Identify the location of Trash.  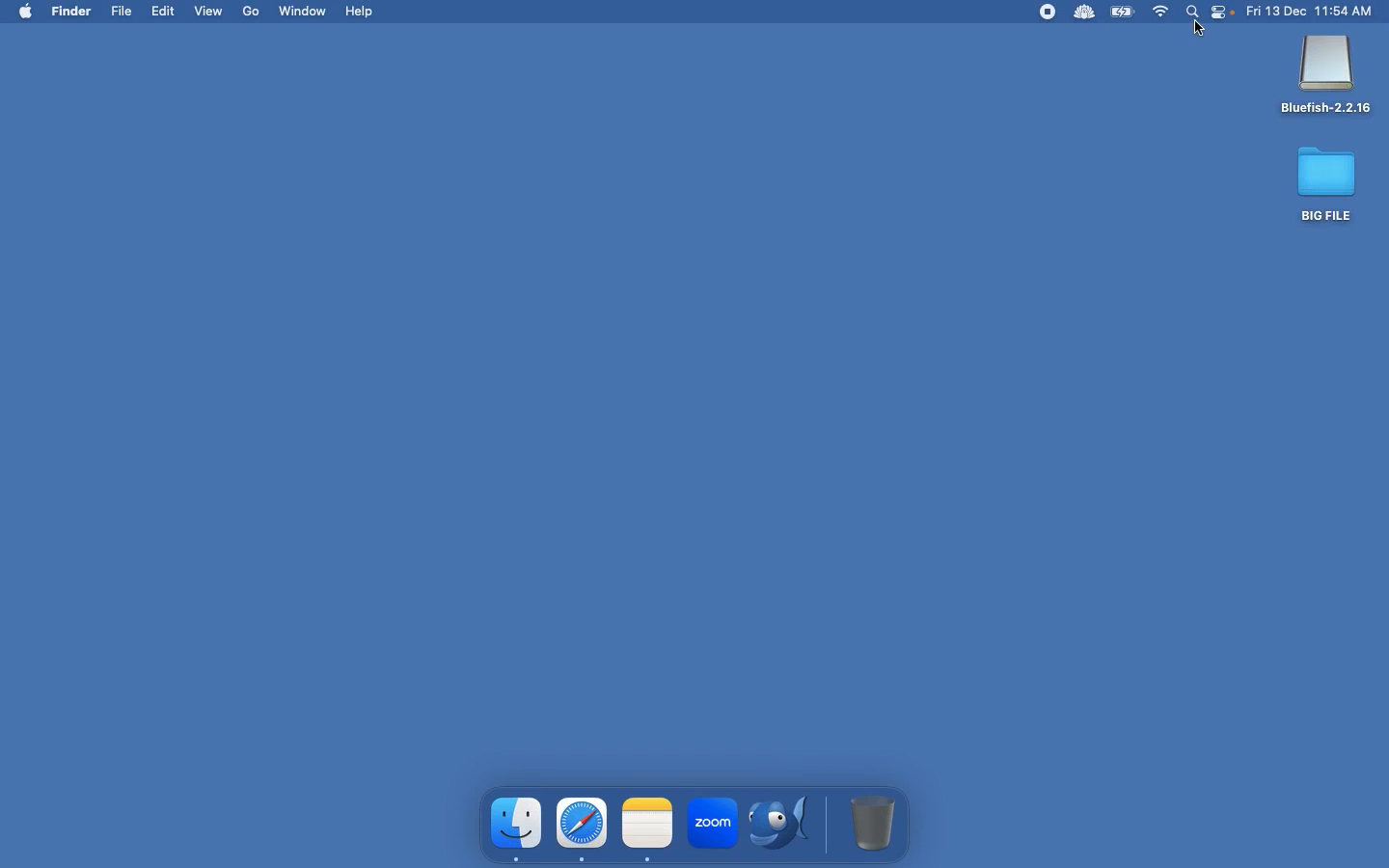
(874, 823).